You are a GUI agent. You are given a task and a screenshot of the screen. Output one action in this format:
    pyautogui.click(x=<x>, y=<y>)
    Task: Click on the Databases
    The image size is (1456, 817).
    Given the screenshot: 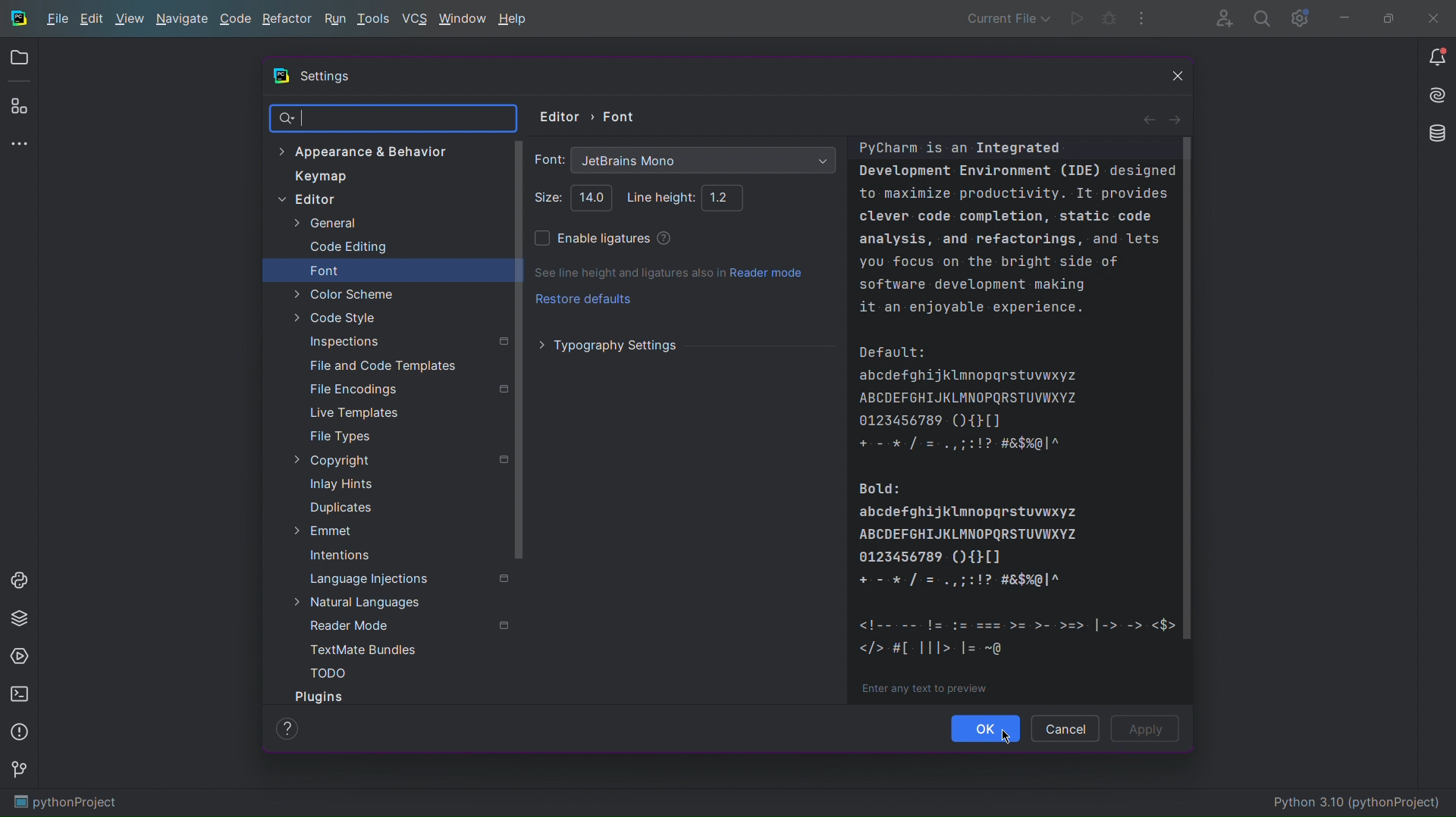 What is the action you would take?
    pyautogui.click(x=1432, y=136)
    